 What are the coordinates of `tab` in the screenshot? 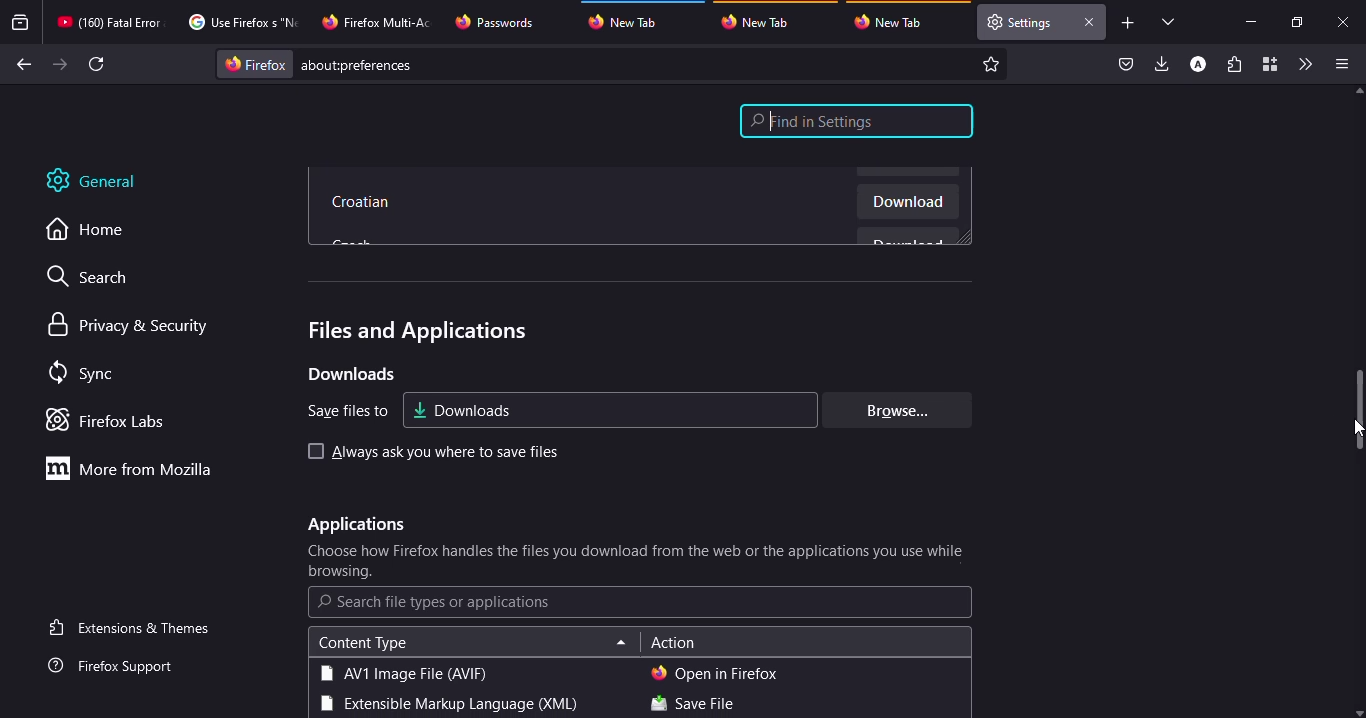 It's located at (497, 22).